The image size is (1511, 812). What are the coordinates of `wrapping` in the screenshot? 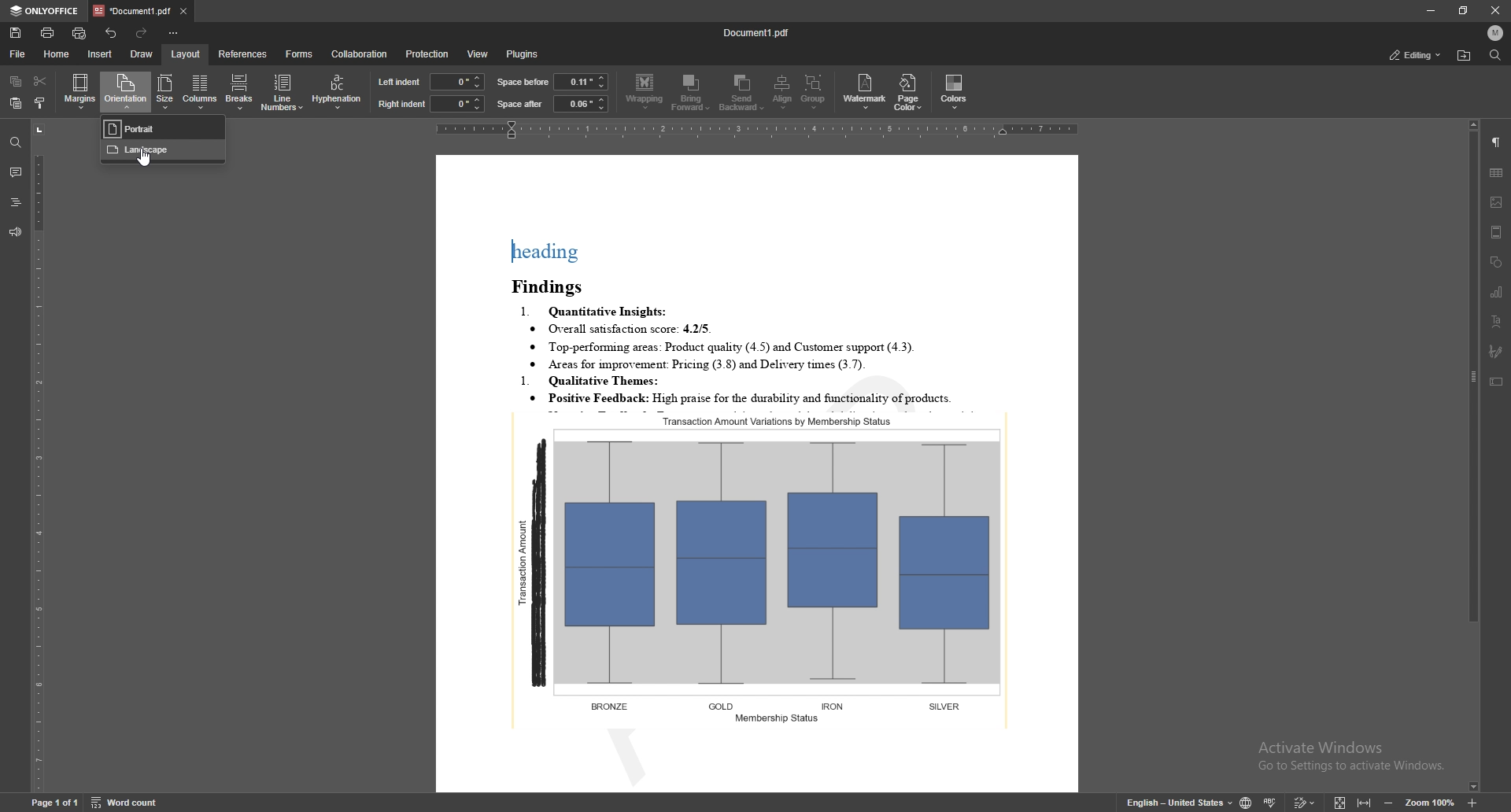 It's located at (645, 92).